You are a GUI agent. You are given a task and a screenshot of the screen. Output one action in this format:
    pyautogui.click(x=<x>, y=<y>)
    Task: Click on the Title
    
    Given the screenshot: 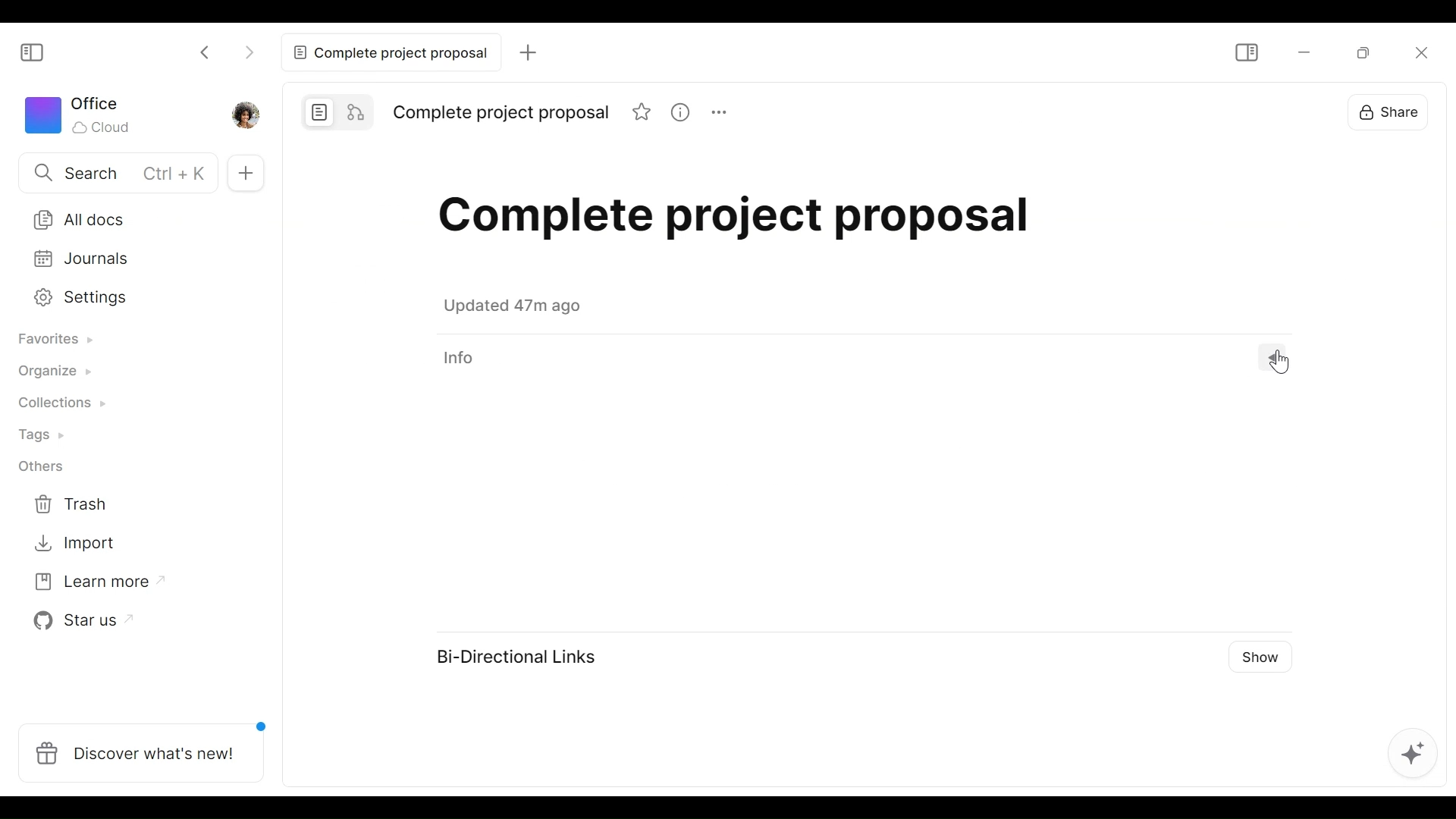 What is the action you would take?
    pyautogui.click(x=758, y=224)
    